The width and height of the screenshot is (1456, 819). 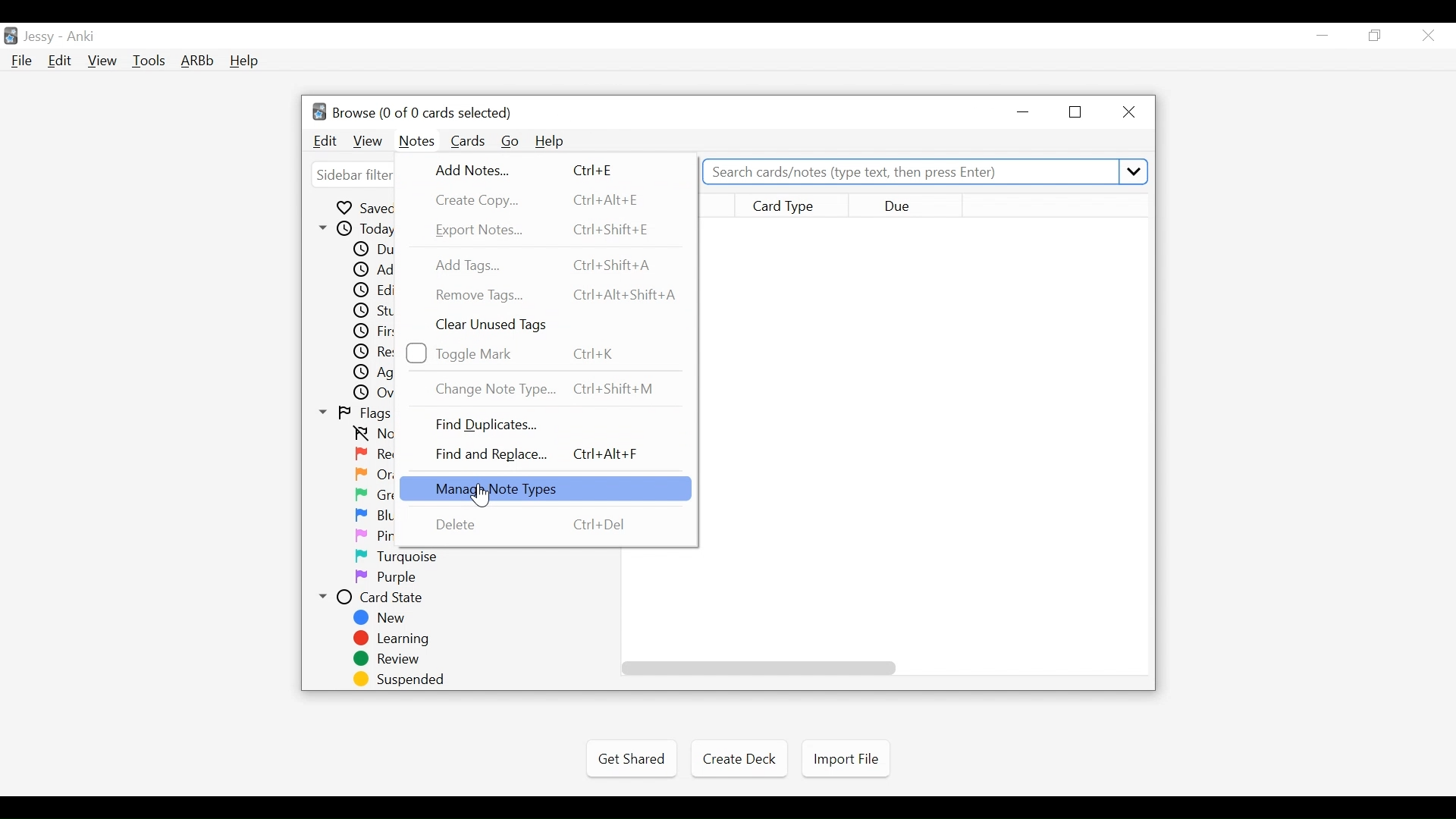 What do you see at coordinates (371, 310) in the screenshot?
I see `Studied` at bounding box center [371, 310].